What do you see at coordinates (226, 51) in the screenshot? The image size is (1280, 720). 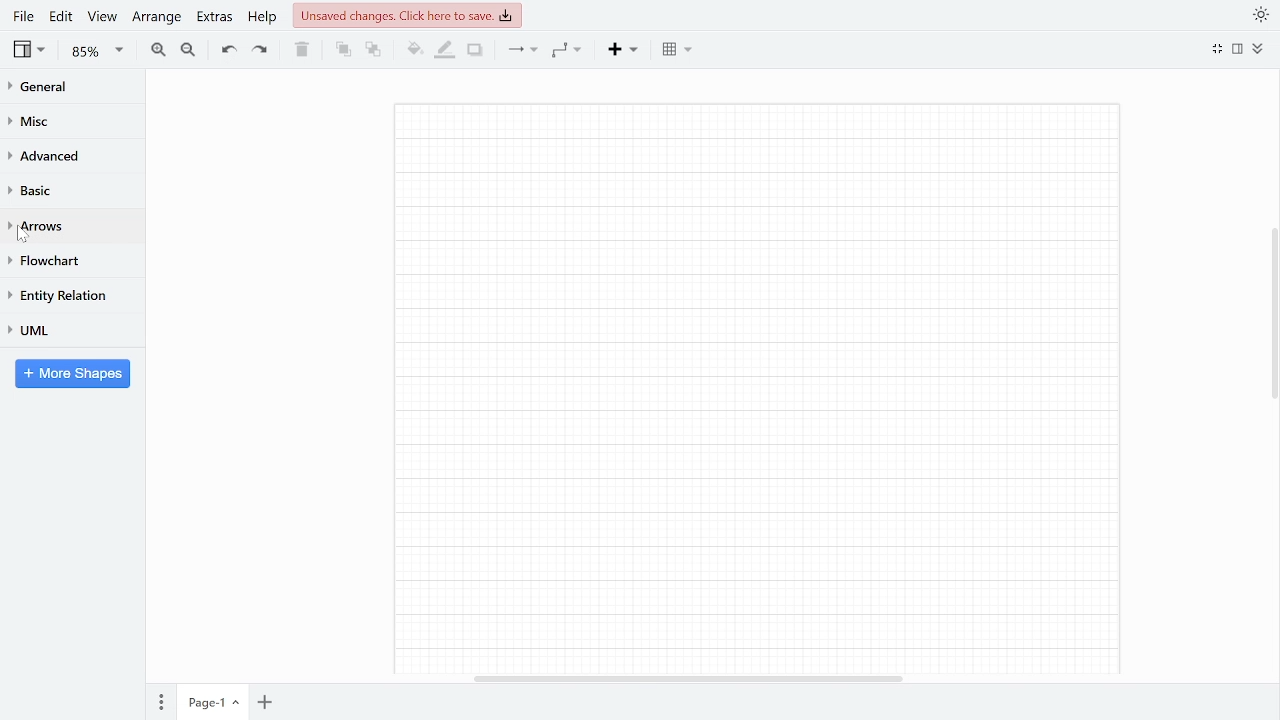 I see `Undo` at bounding box center [226, 51].